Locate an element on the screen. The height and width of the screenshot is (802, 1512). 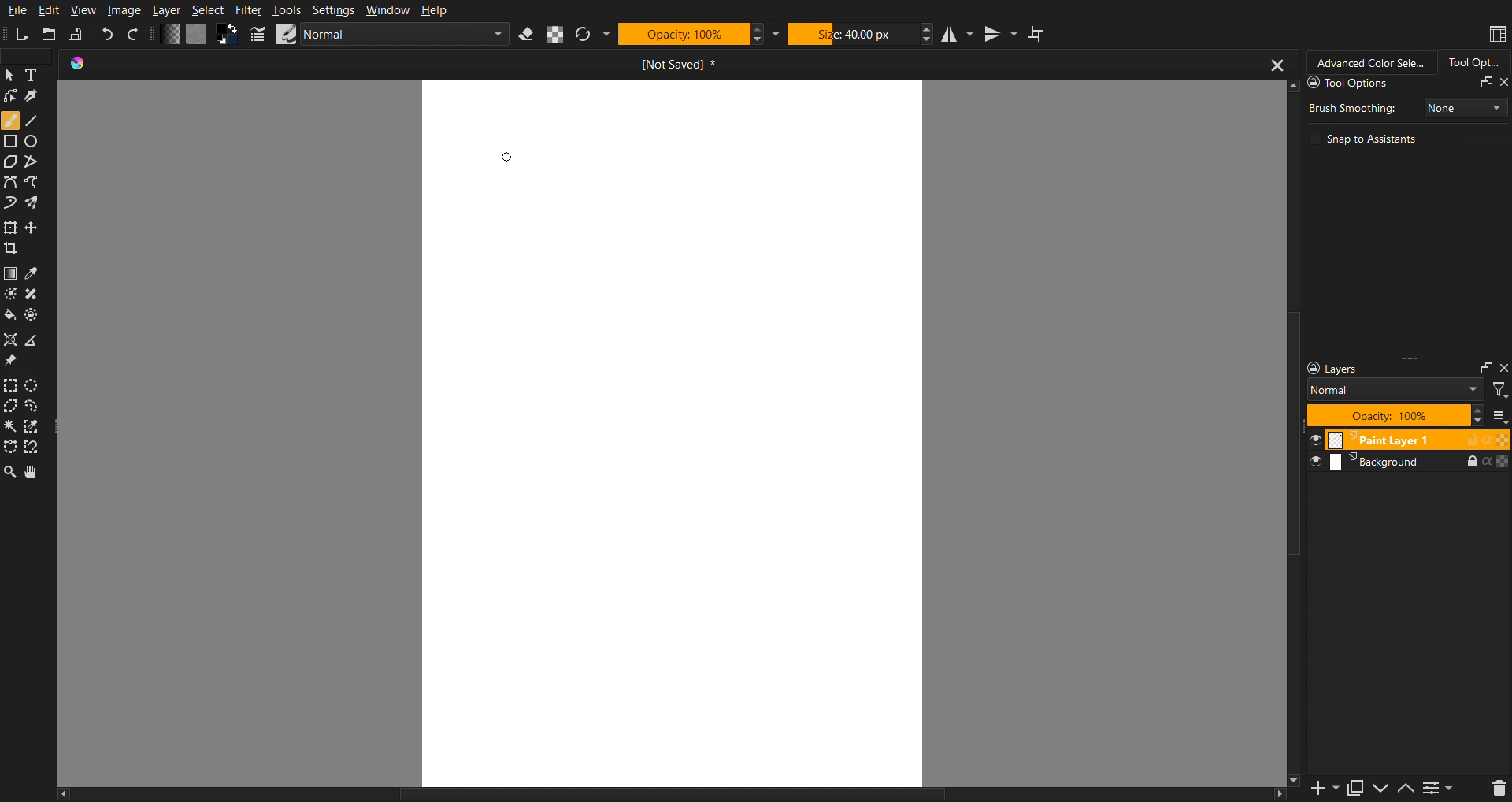
Layer 1 is located at coordinates (1406, 439).